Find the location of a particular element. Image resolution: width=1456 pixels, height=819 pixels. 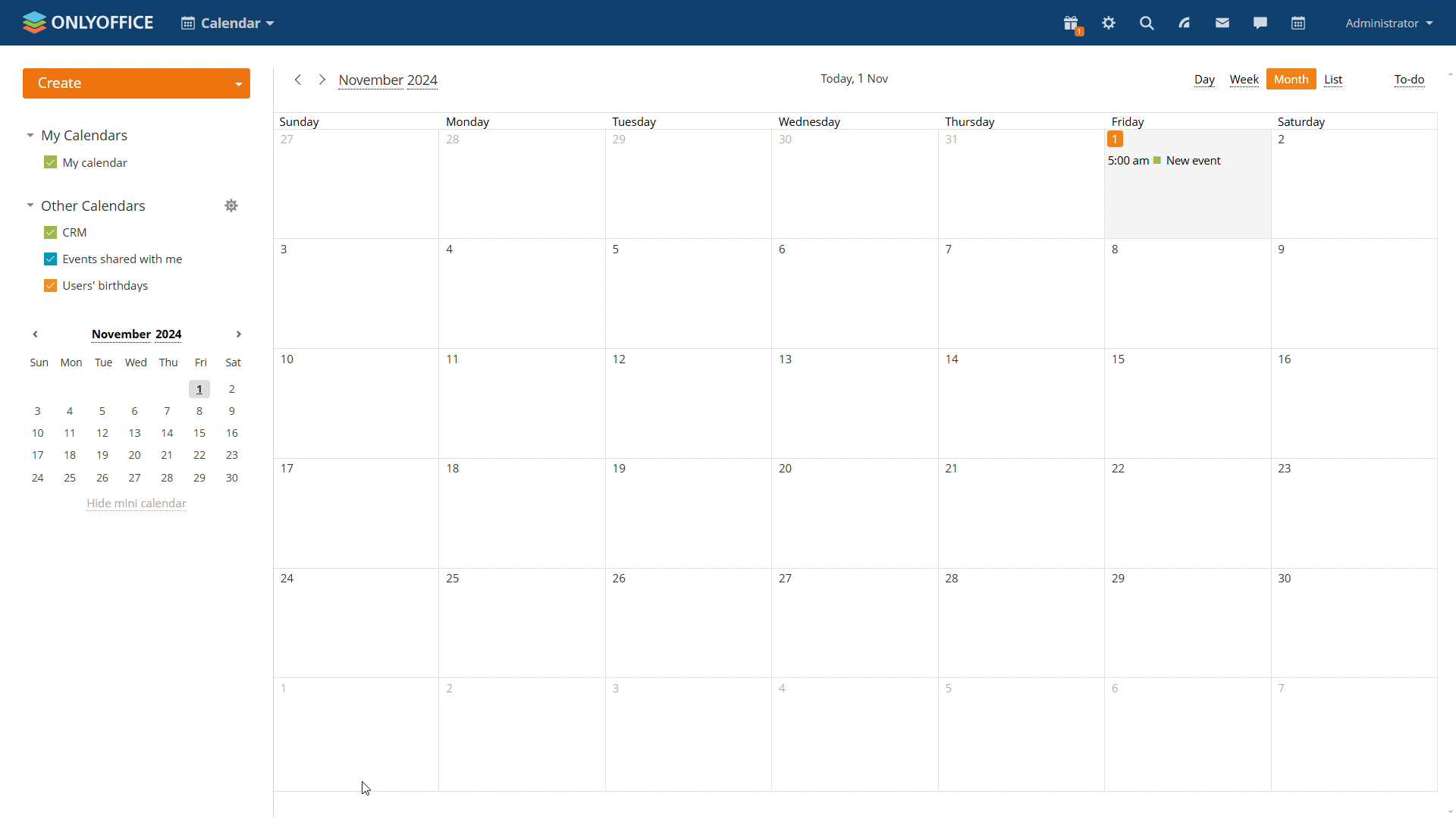

mail is located at coordinates (1221, 23).